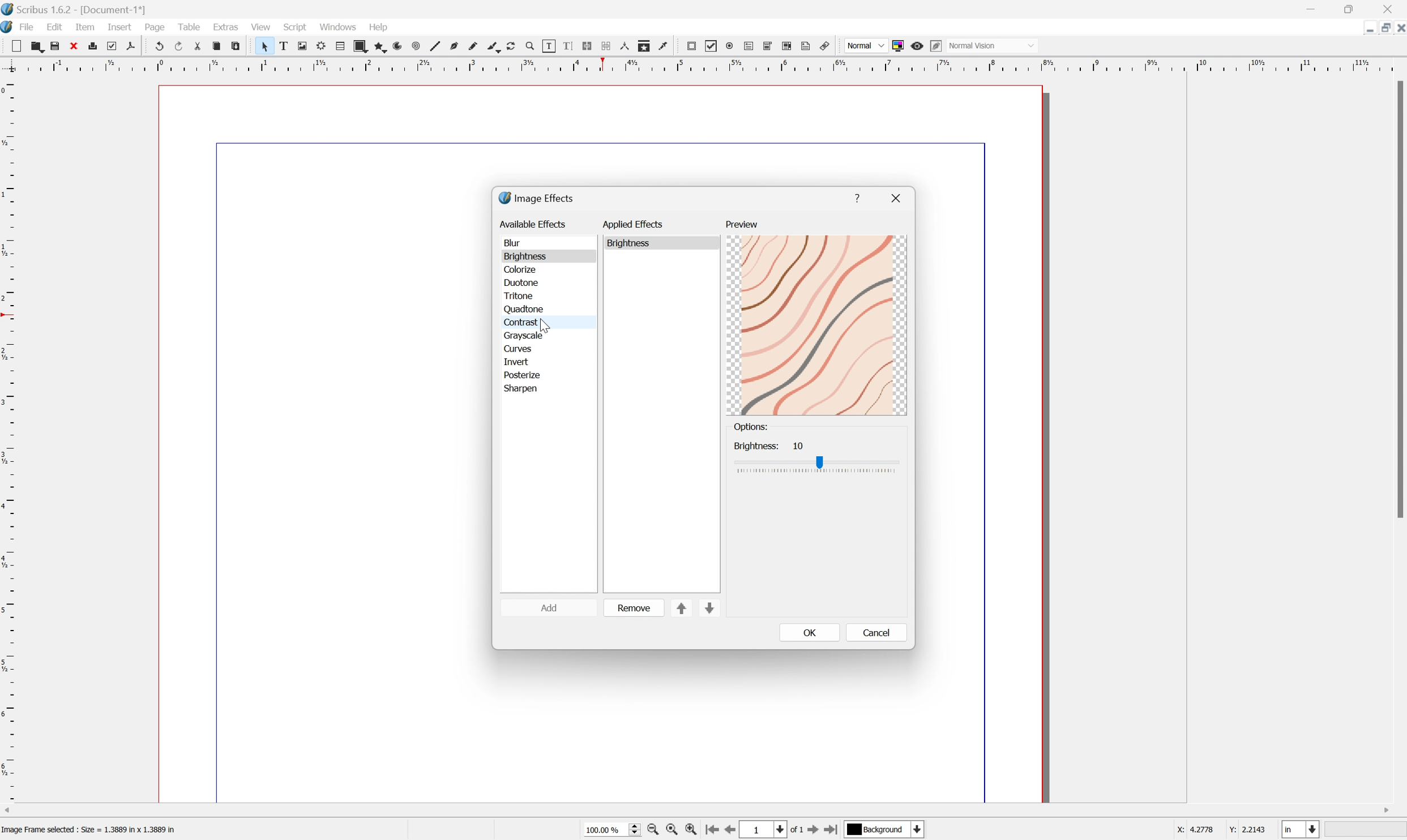 This screenshot has height=840, width=1407. Describe the element at coordinates (712, 47) in the screenshot. I see `PDF checkbox` at that location.